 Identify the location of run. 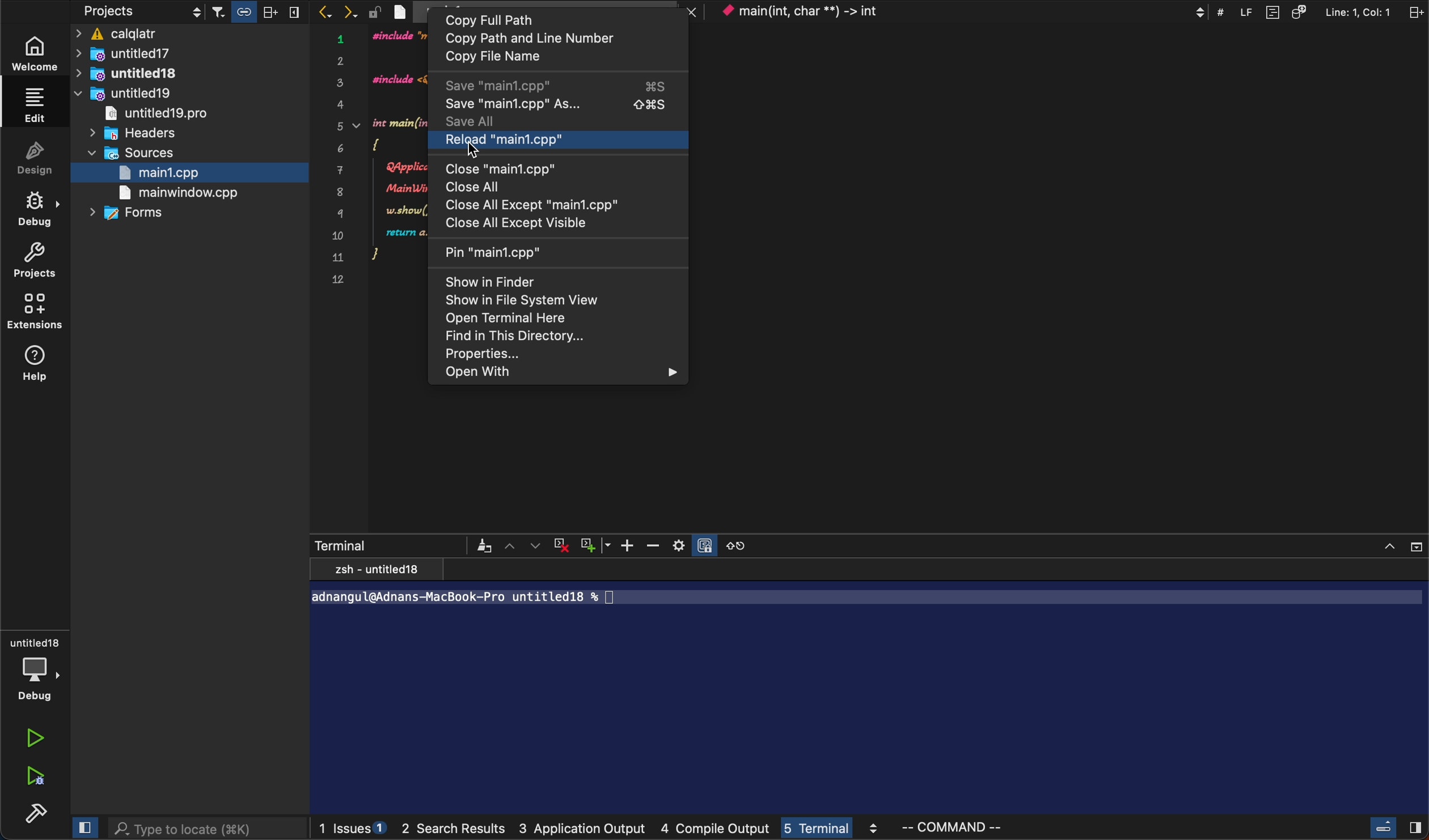
(35, 740).